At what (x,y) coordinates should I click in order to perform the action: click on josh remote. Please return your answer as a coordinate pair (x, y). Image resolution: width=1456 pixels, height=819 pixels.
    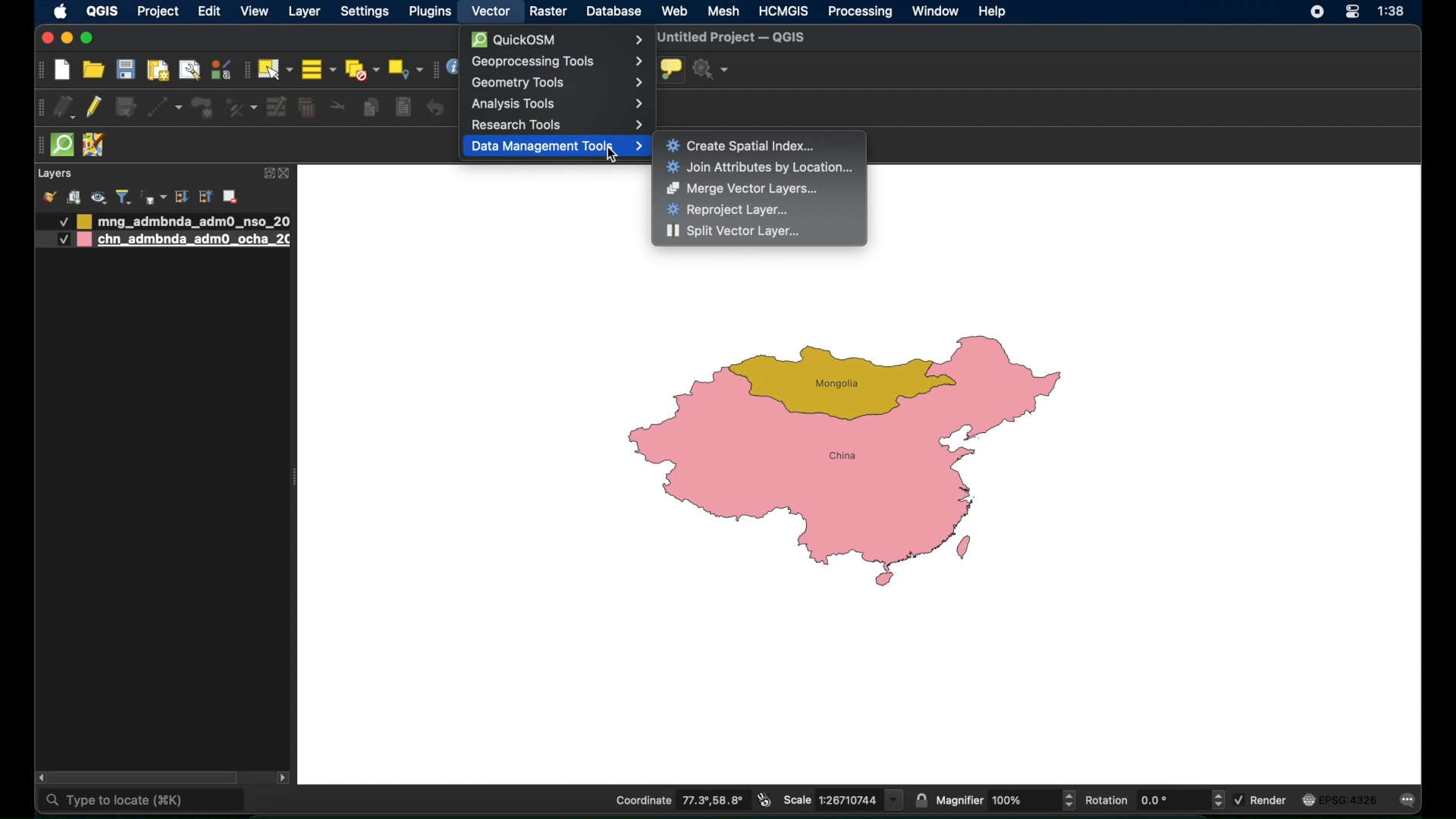
    Looking at the image, I should click on (95, 146).